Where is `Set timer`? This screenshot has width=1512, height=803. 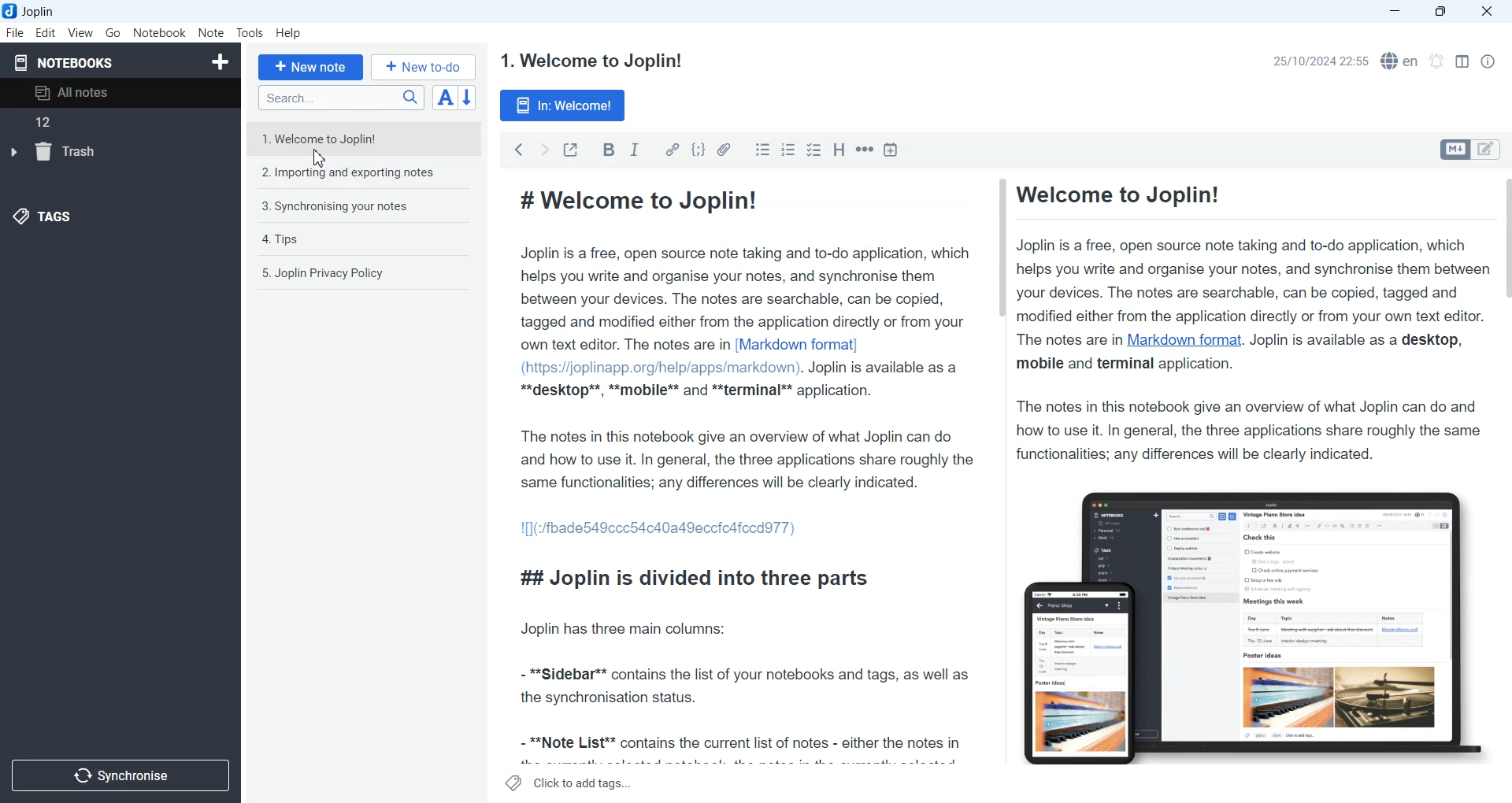
Set timer is located at coordinates (1437, 61).